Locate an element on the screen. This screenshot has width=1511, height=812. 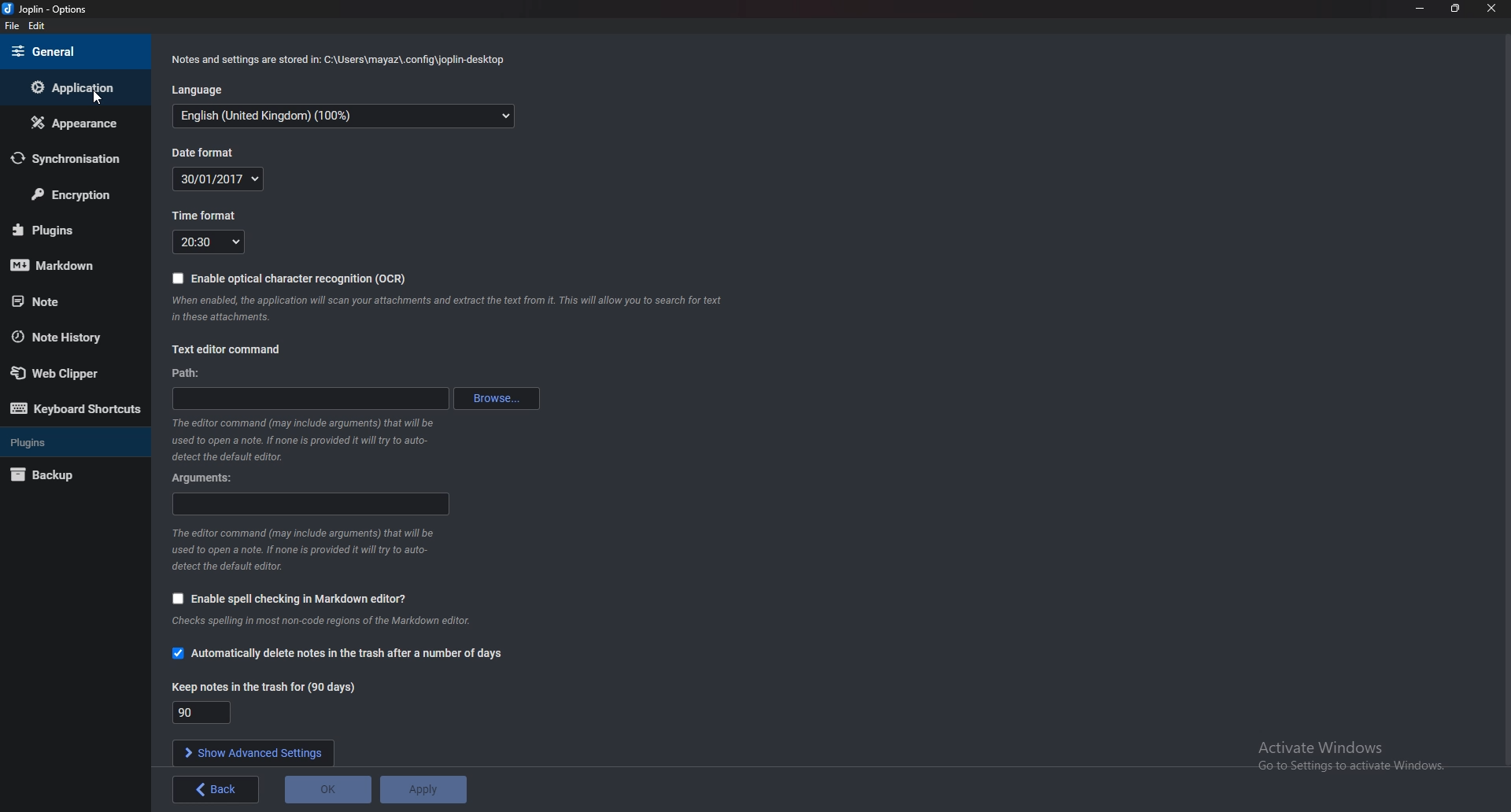
Keep notes in the trash for is located at coordinates (201, 711).